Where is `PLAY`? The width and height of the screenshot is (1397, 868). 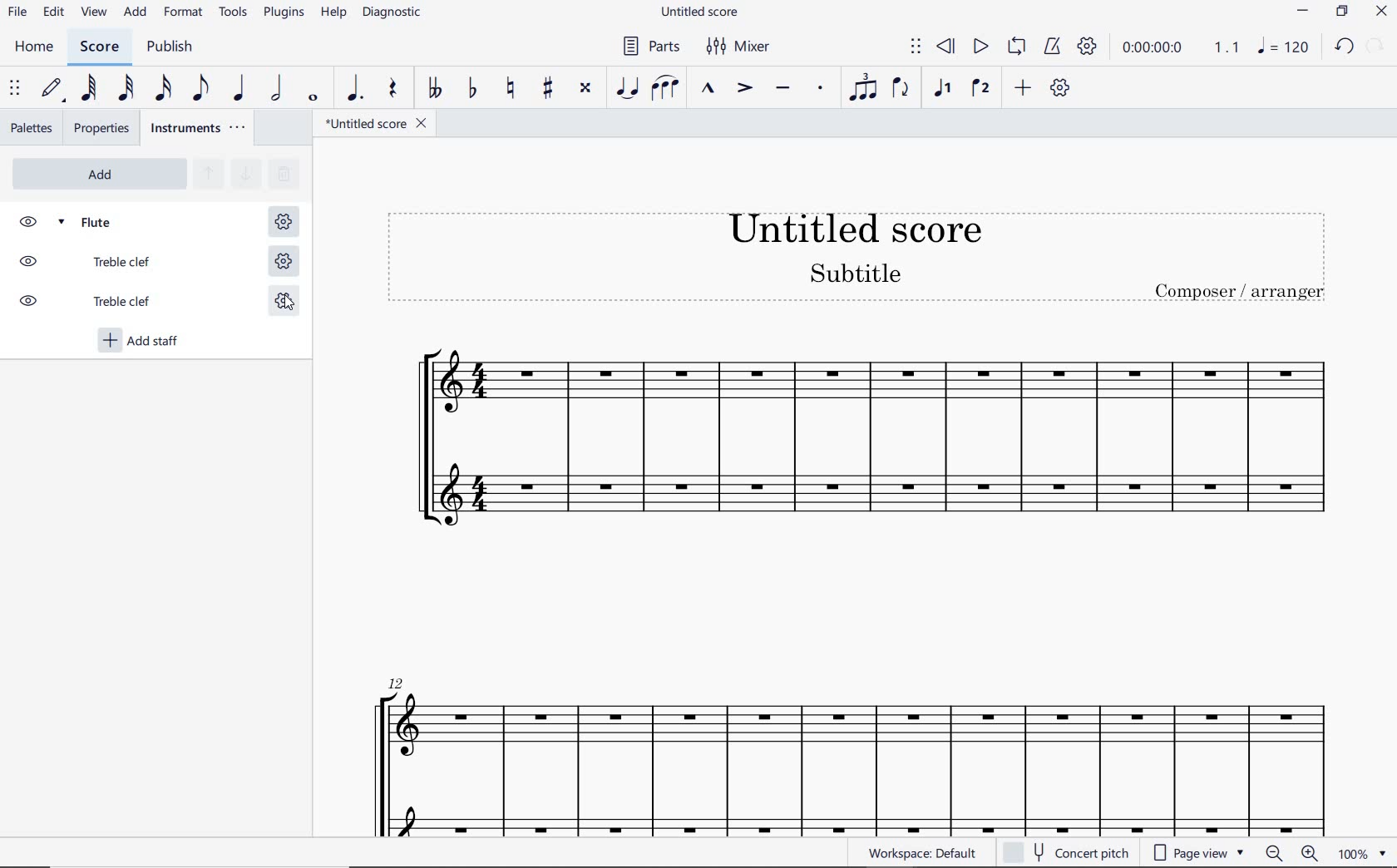 PLAY is located at coordinates (980, 47).